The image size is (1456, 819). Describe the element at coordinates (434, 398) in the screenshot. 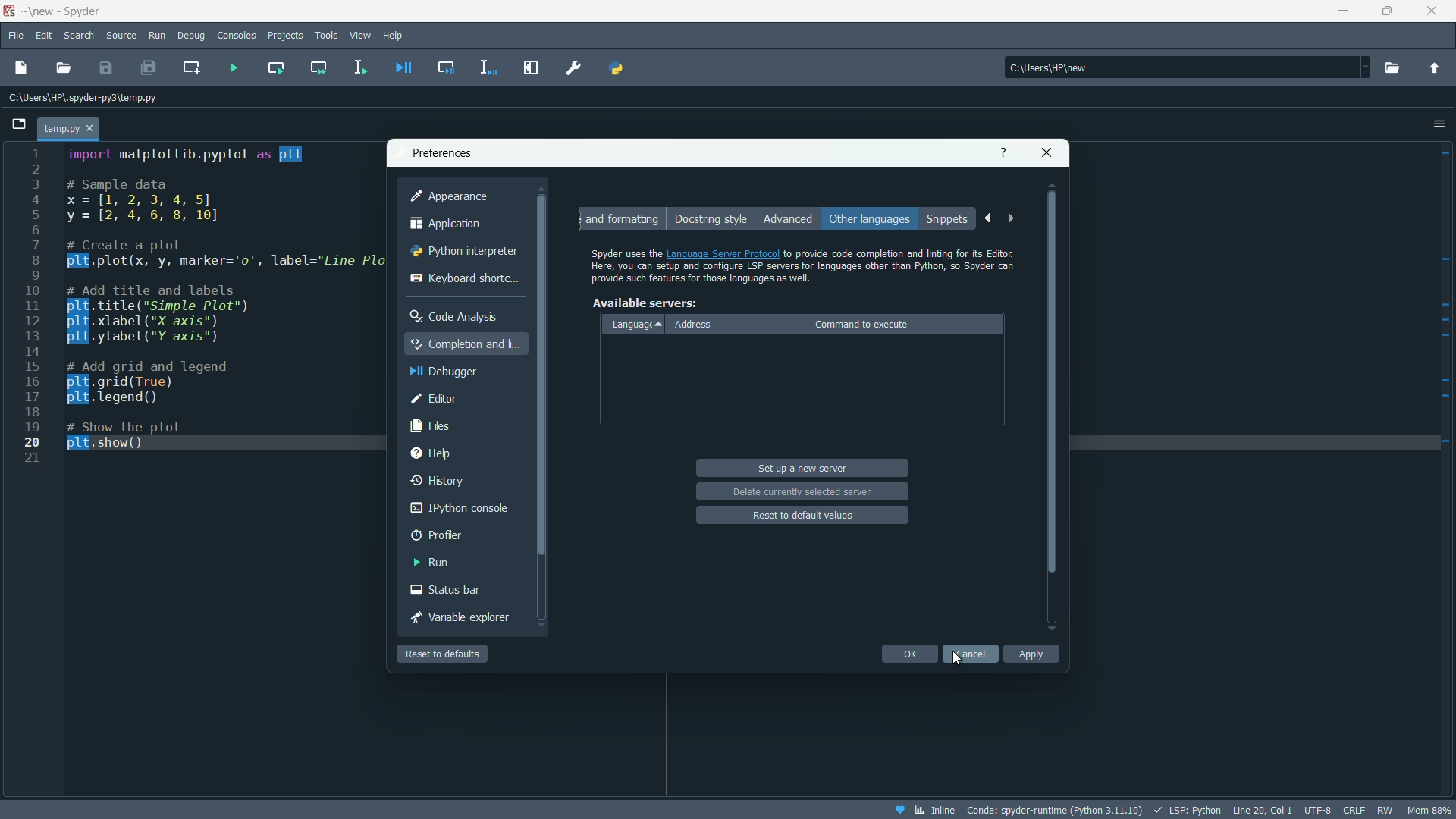

I see `editor` at that location.